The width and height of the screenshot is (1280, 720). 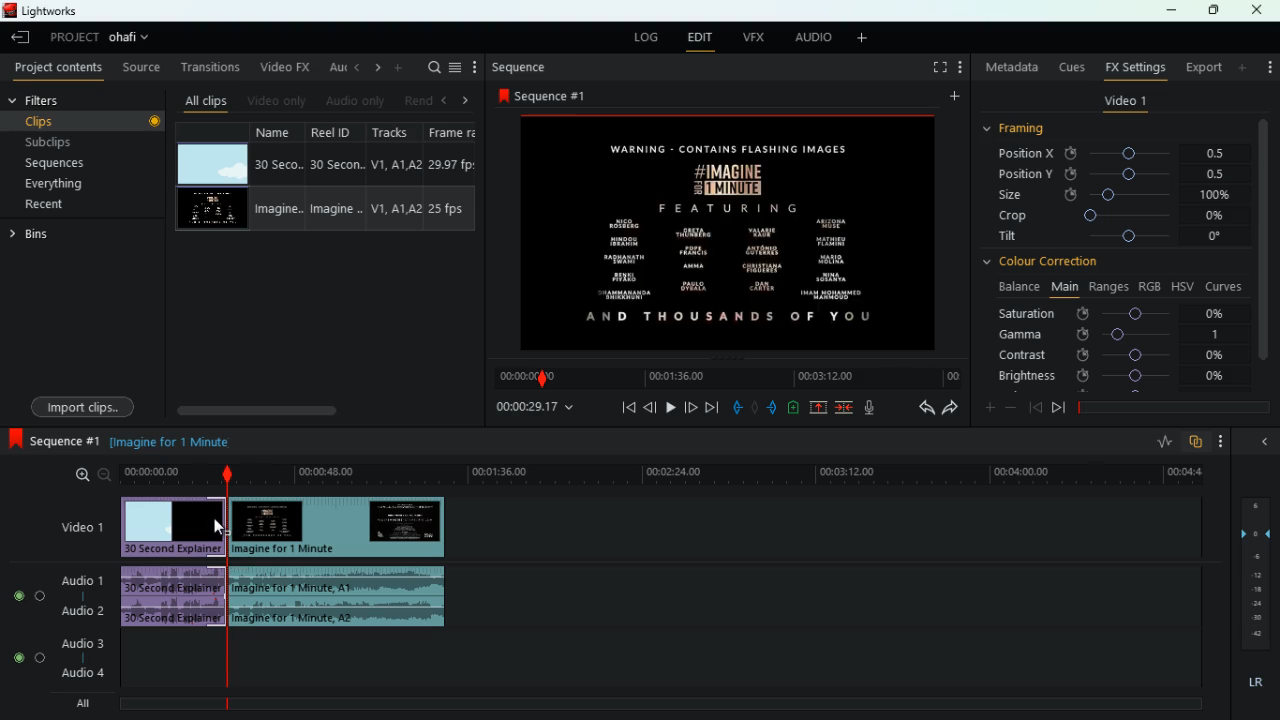 I want to click on sequence, so click(x=55, y=442).